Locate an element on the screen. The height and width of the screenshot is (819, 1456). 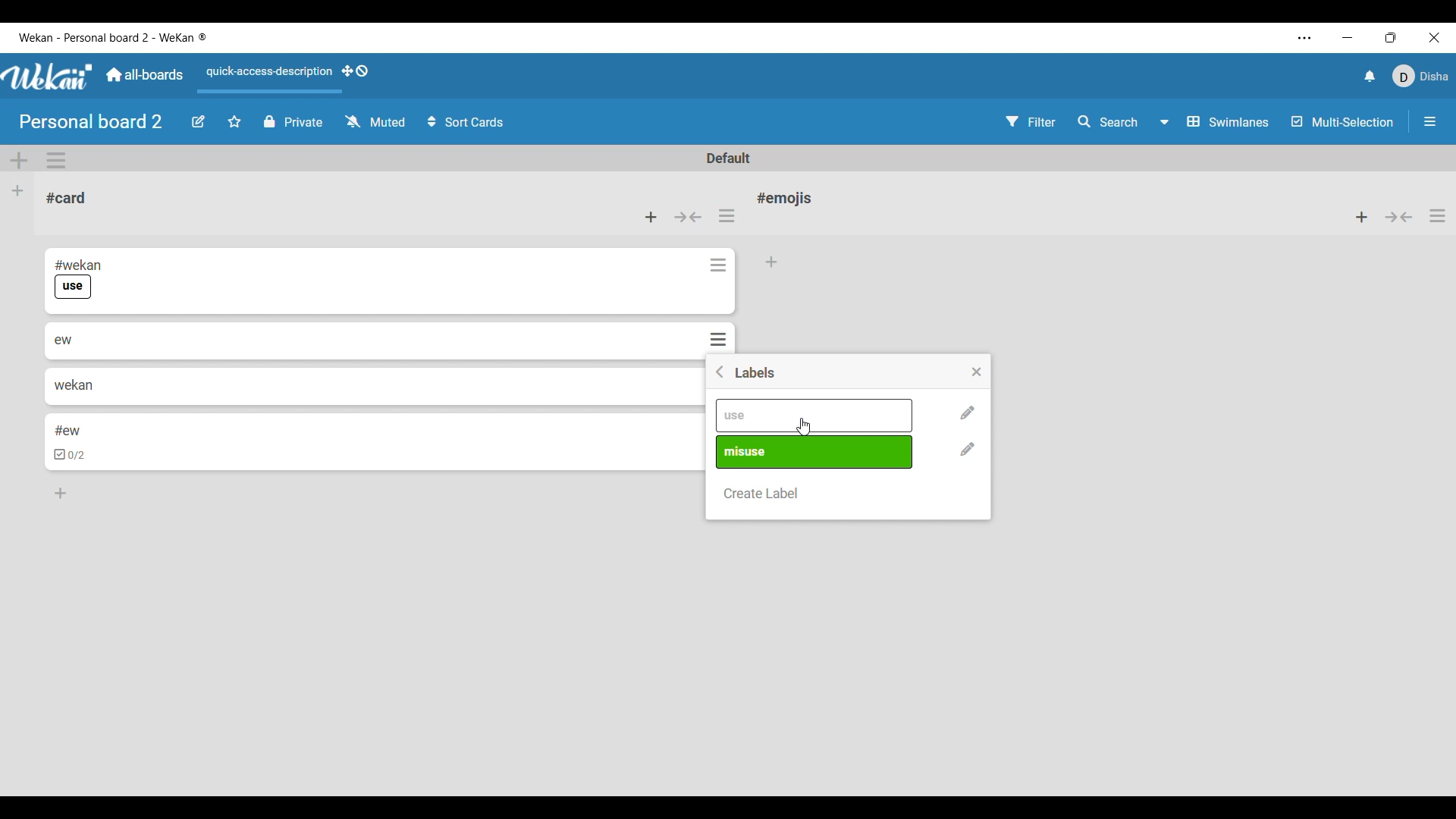
Collapse is located at coordinates (689, 217).